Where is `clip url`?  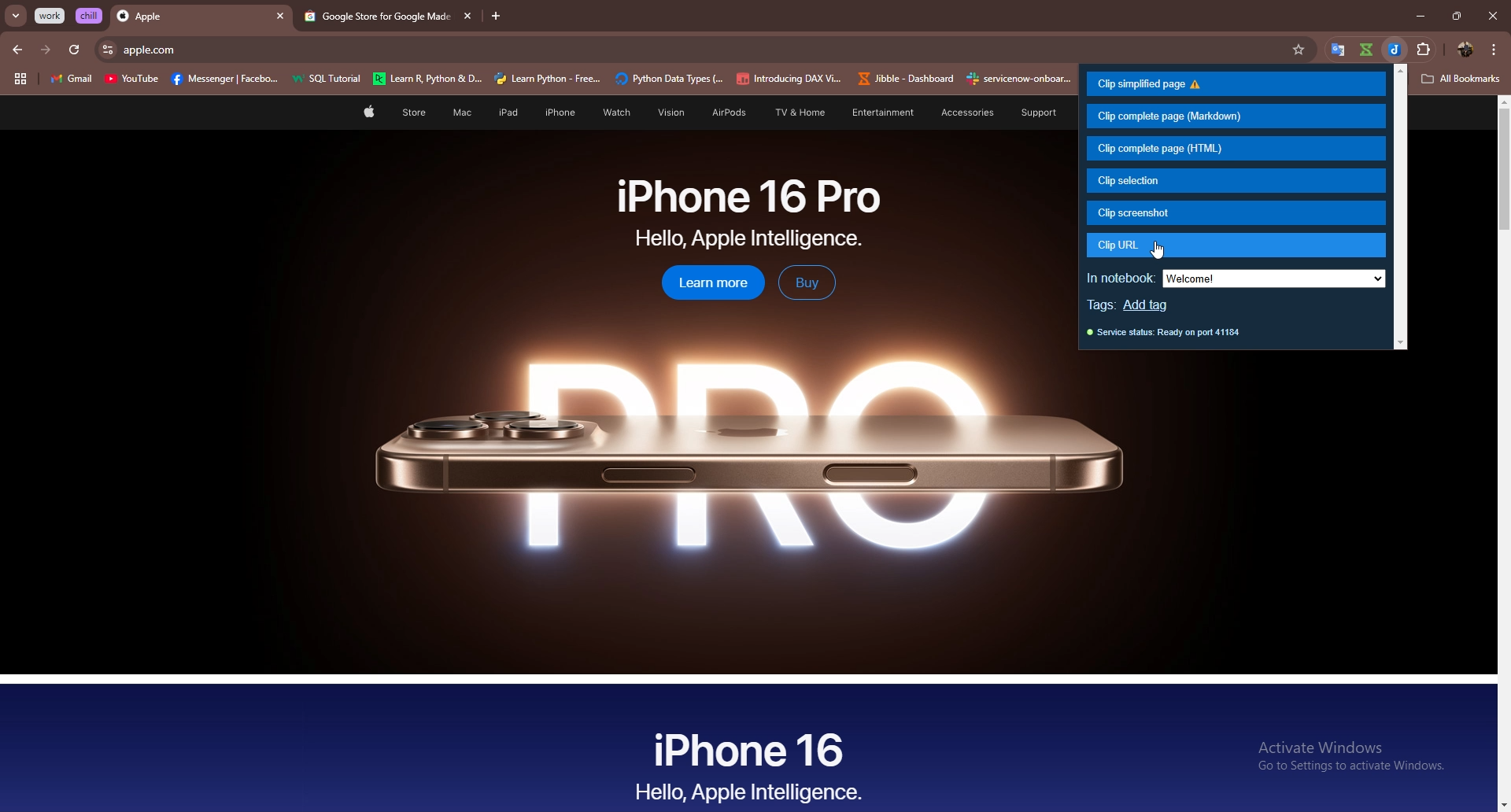
clip url is located at coordinates (1235, 245).